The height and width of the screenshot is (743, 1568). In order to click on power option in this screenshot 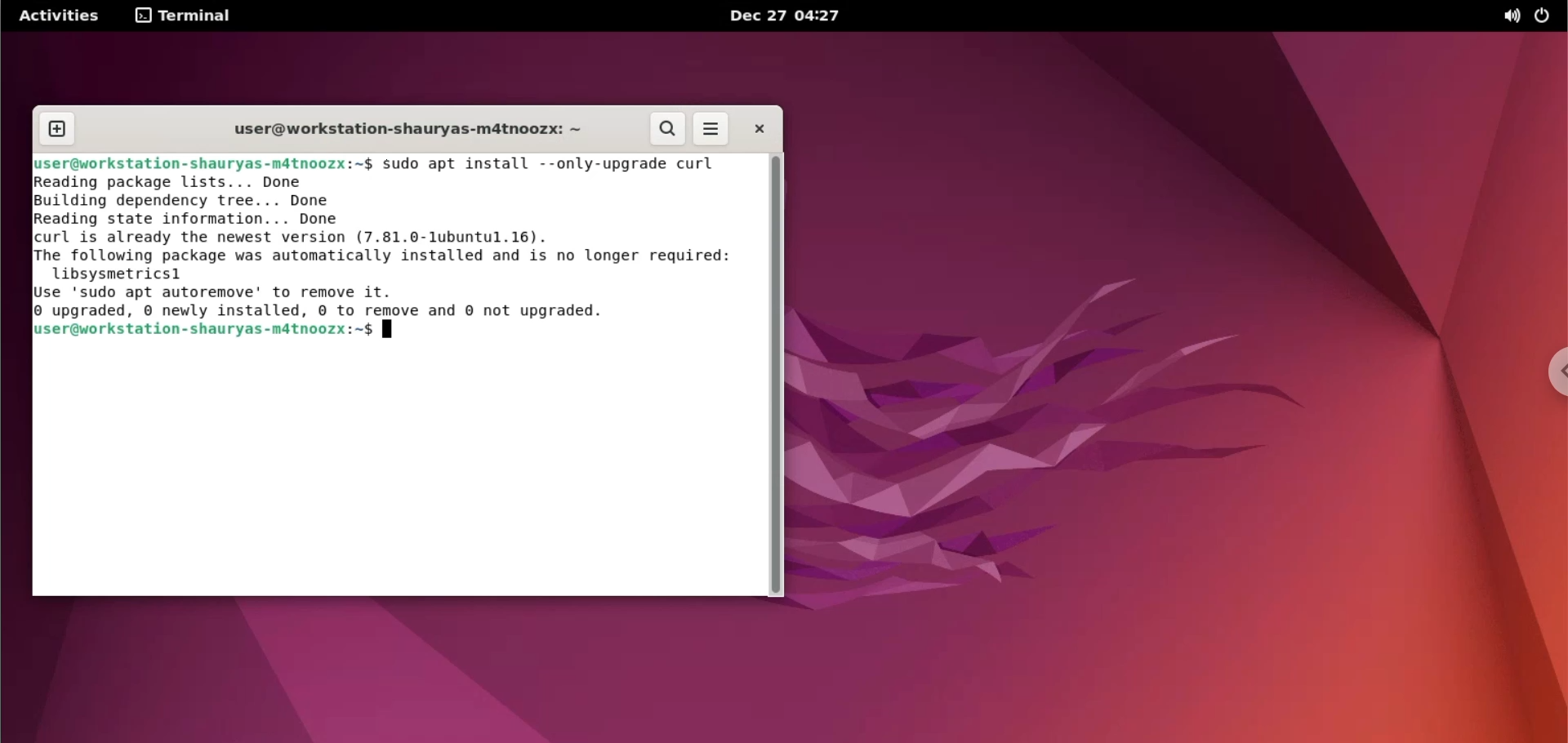, I will do `click(1550, 16)`.